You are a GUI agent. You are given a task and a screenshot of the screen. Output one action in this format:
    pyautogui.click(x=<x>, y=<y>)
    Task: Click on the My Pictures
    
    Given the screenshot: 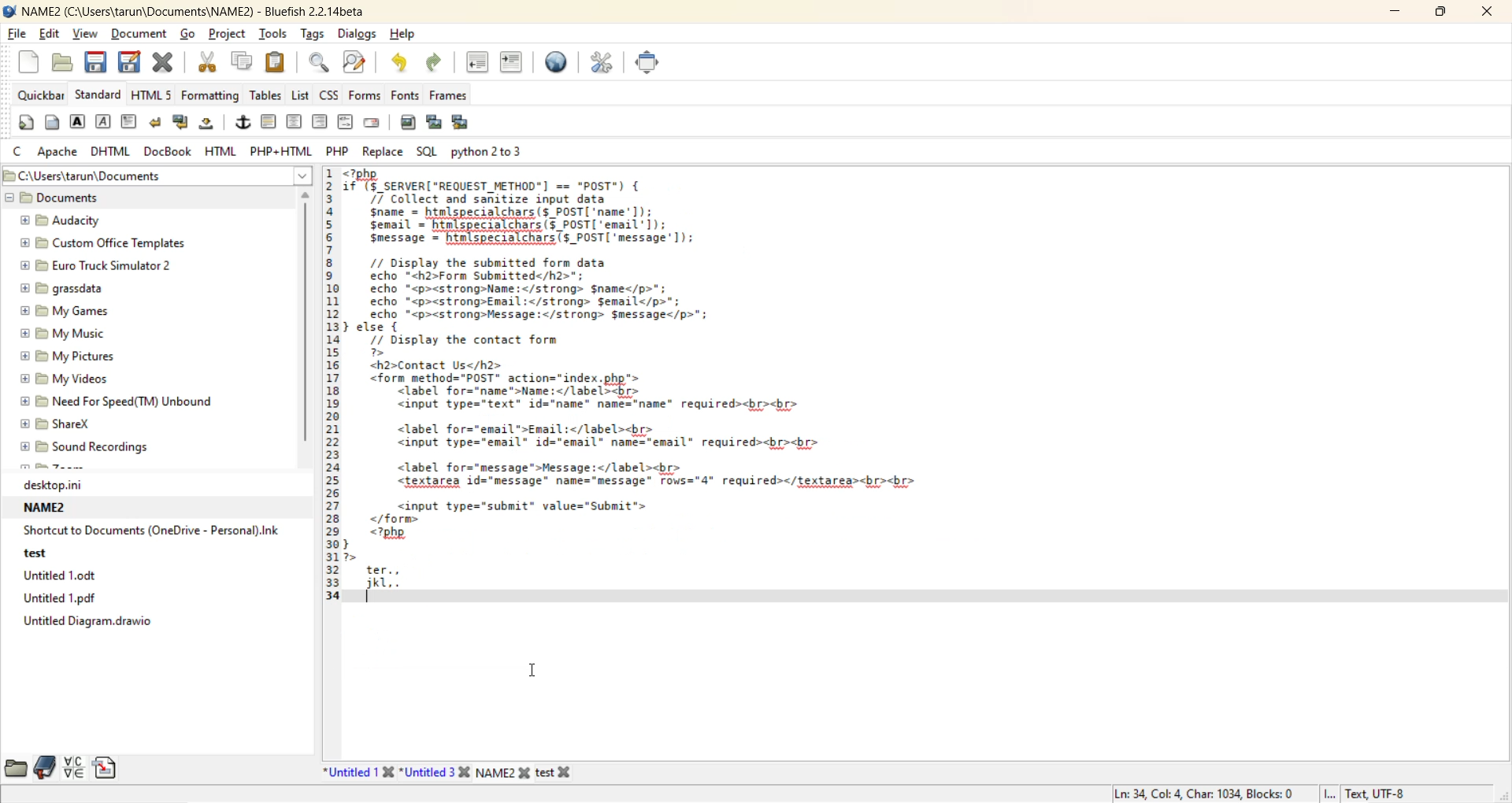 What is the action you would take?
    pyautogui.click(x=72, y=356)
    